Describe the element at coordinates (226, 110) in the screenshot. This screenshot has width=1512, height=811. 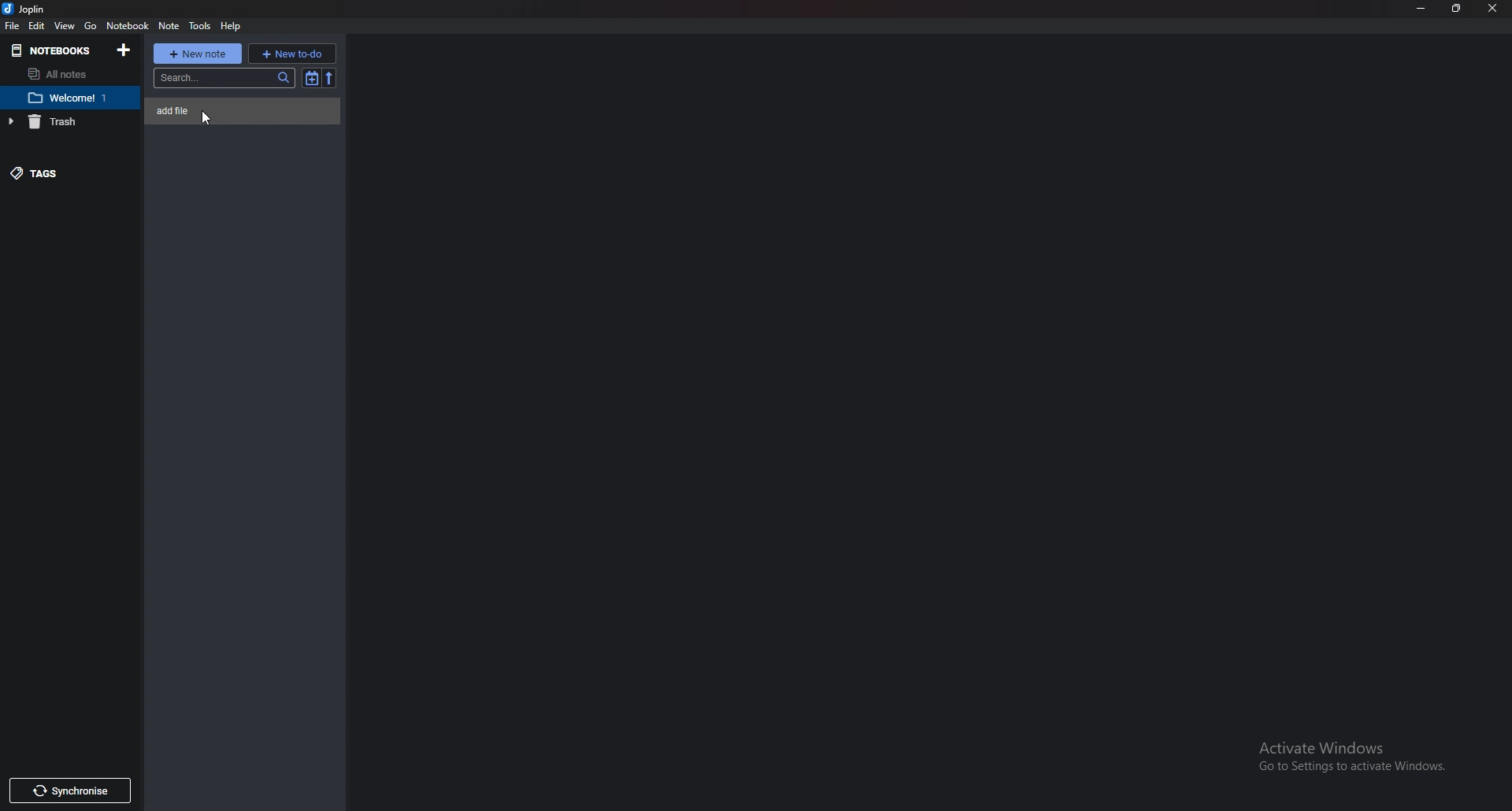
I see `Note` at that location.